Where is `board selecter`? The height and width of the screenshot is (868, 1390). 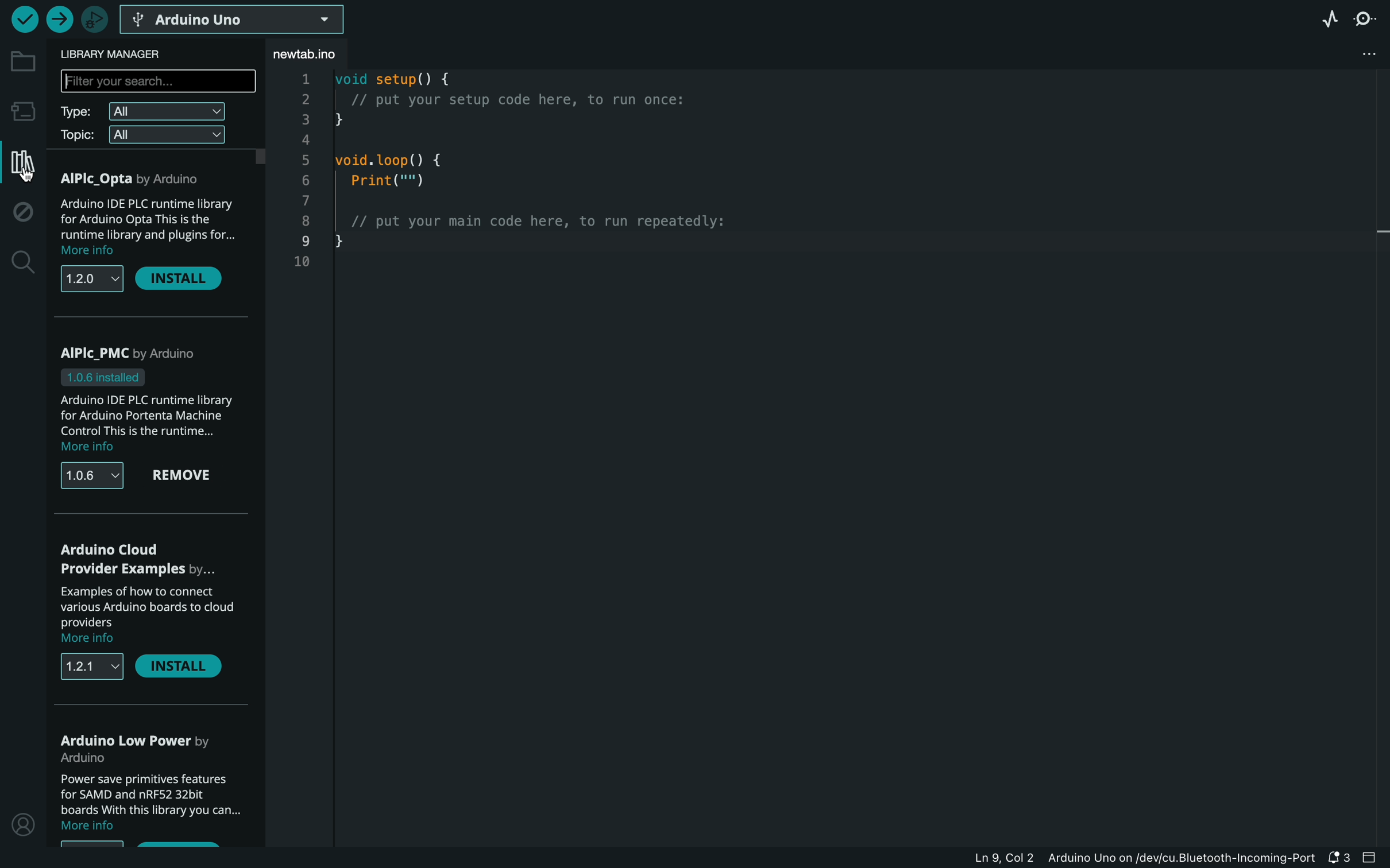 board selecter is located at coordinates (241, 20).